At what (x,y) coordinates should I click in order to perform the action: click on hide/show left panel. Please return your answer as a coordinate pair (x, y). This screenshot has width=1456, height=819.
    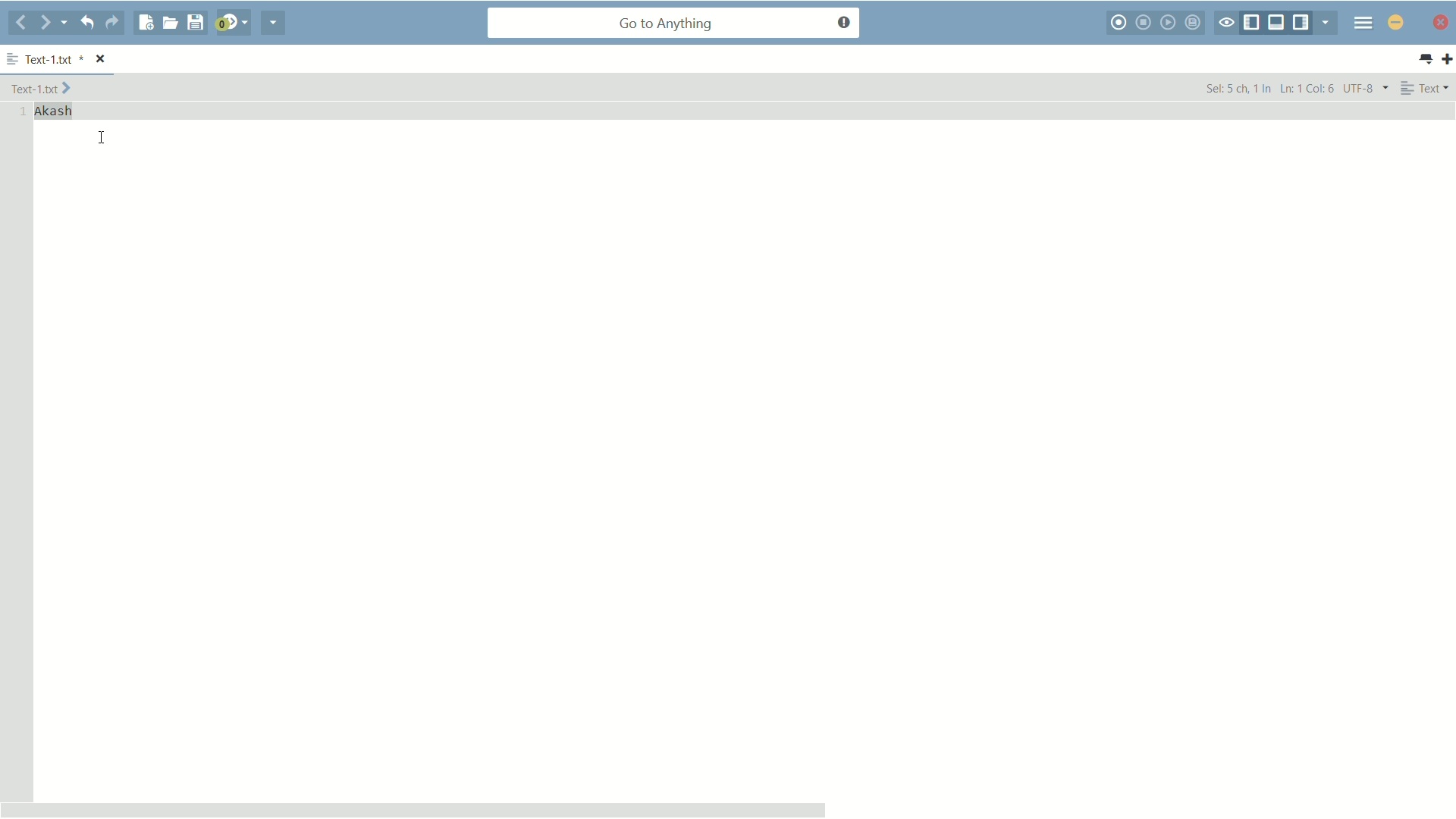
    Looking at the image, I should click on (1252, 24).